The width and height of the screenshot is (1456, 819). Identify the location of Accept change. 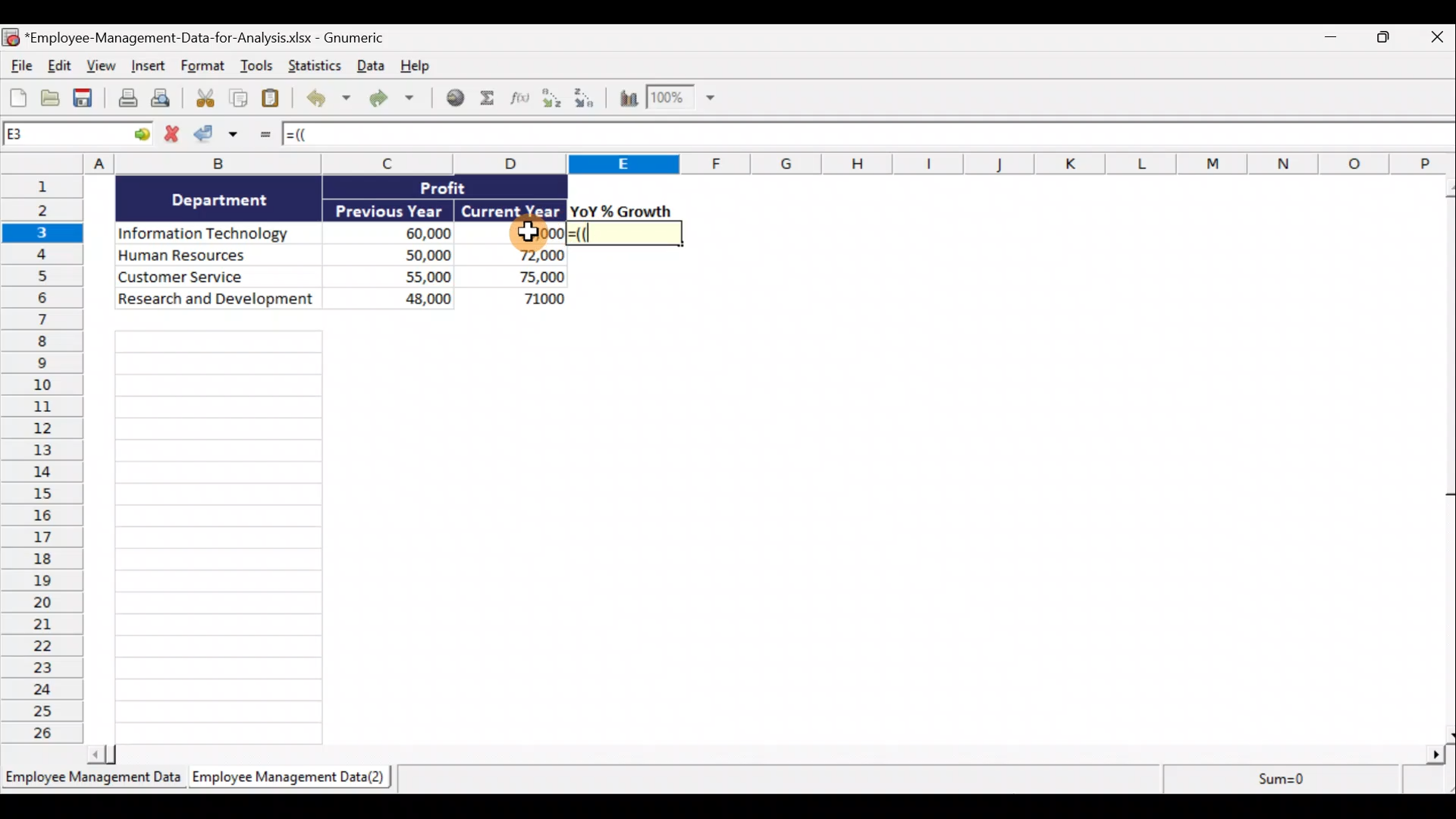
(221, 137).